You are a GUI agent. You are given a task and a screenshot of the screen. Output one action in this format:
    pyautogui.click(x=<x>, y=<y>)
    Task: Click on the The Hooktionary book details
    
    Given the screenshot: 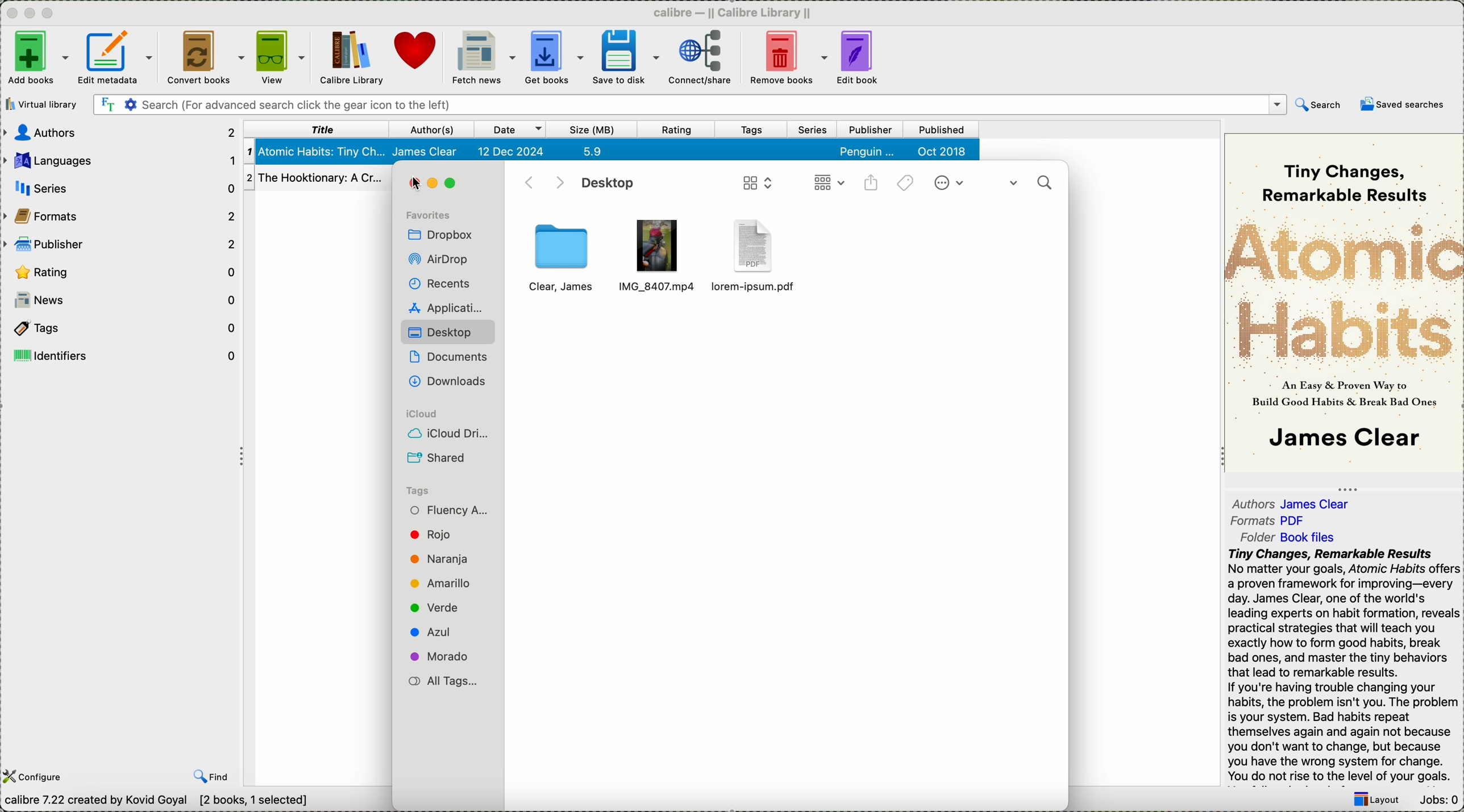 What is the action you would take?
    pyautogui.click(x=317, y=181)
    